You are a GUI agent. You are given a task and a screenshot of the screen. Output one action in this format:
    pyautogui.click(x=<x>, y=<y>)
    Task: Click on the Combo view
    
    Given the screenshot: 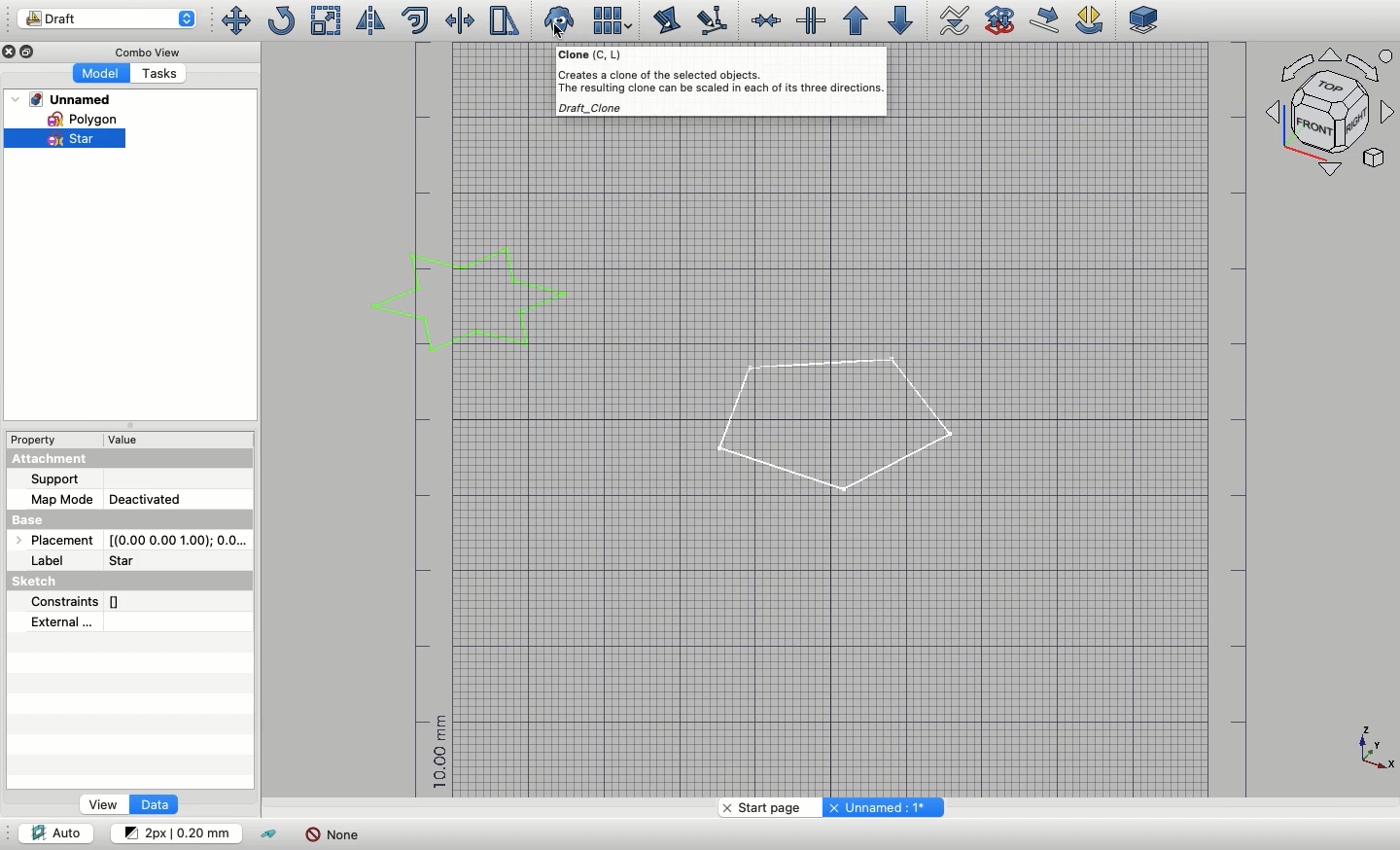 What is the action you would take?
    pyautogui.click(x=144, y=51)
    